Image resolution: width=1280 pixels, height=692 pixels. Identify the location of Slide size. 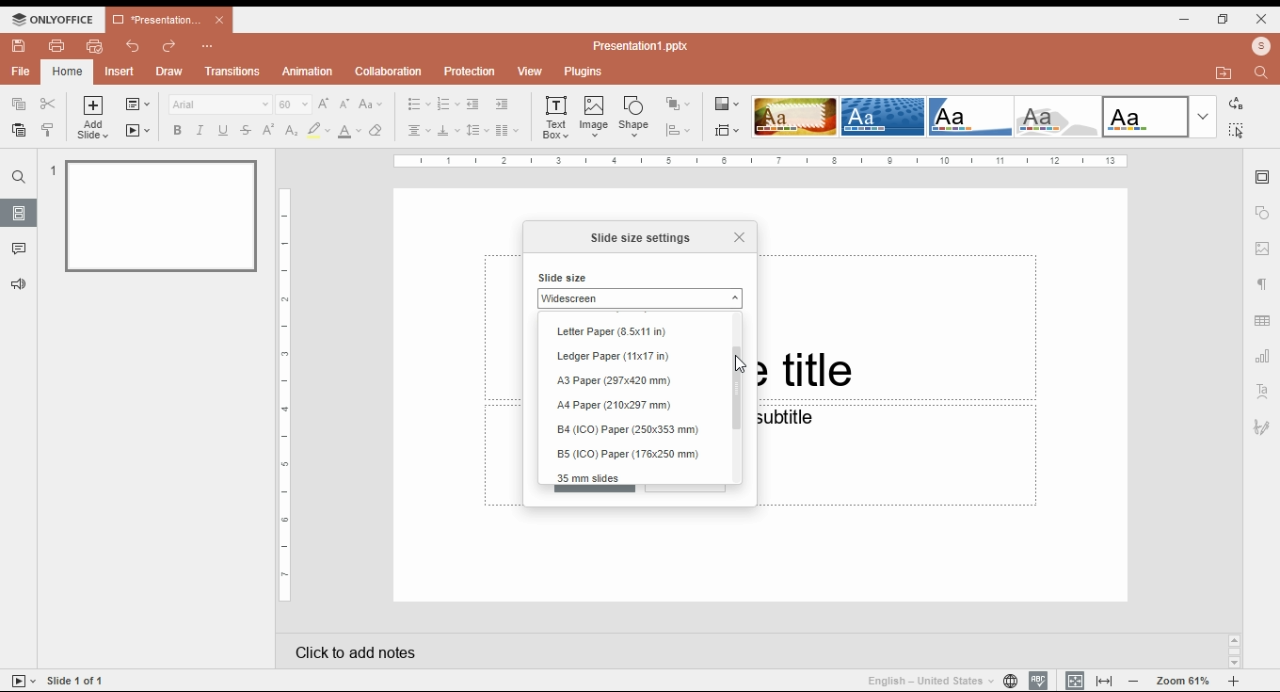
(564, 277).